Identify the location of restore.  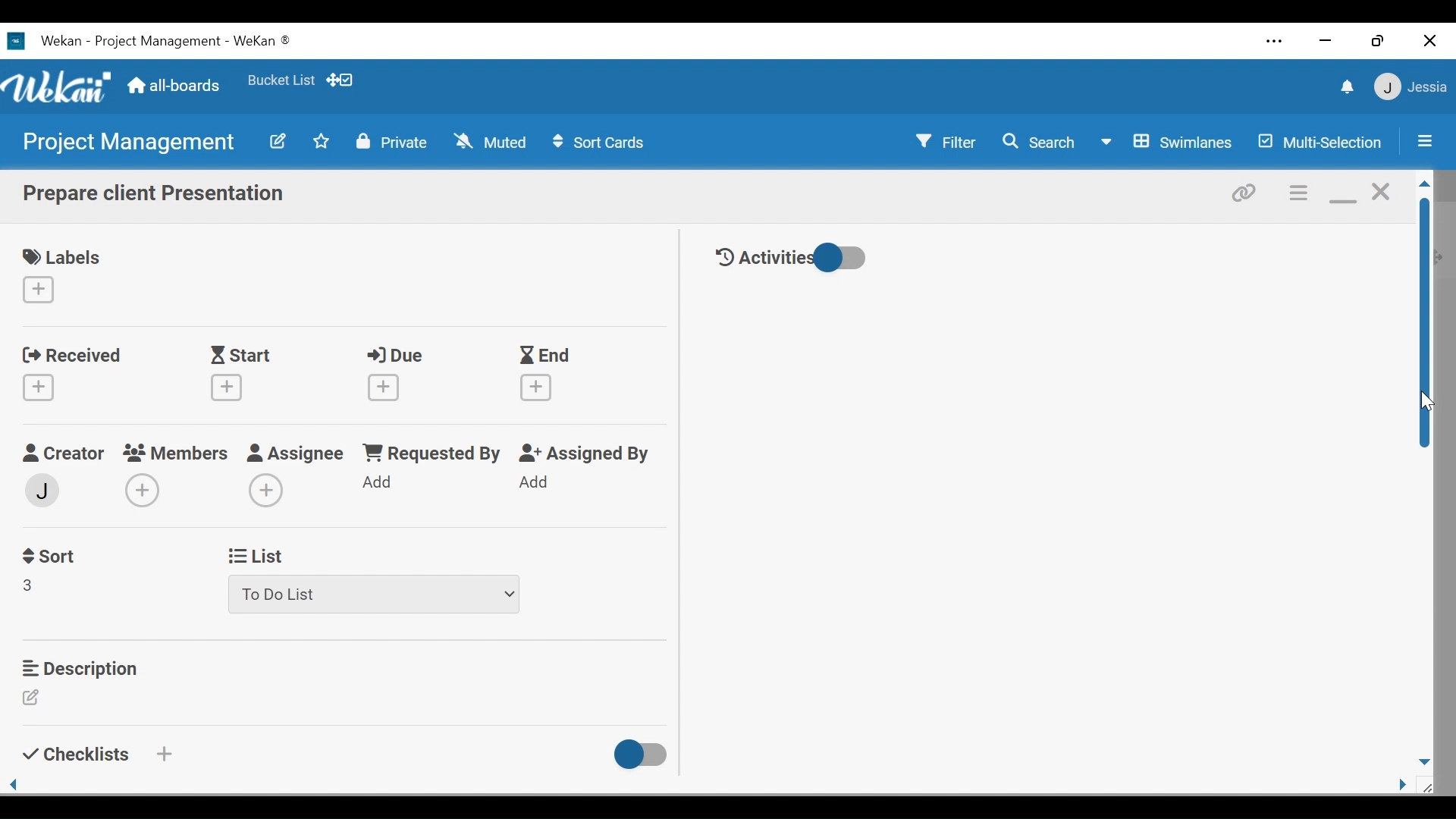
(1378, 42).